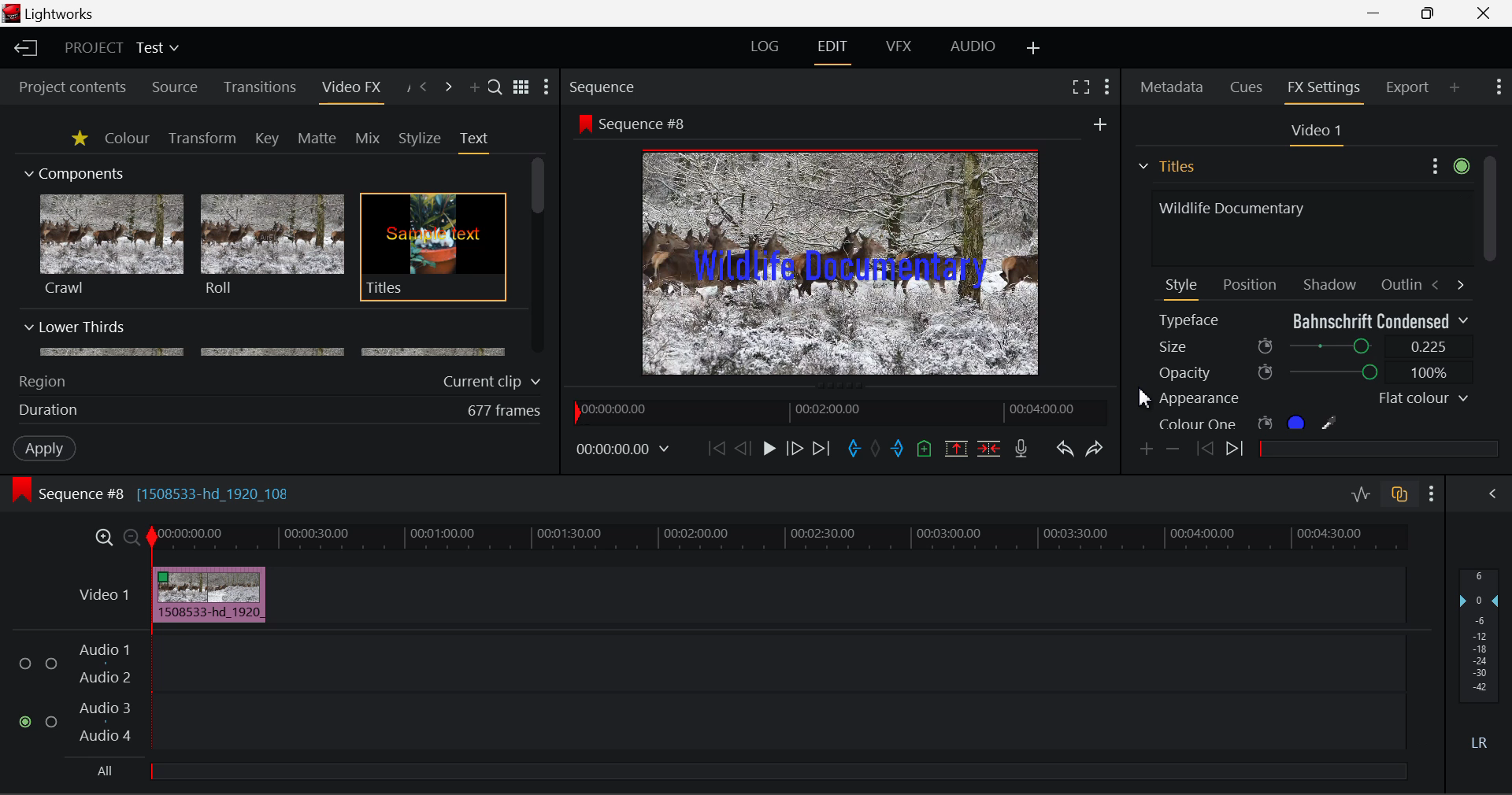 The width and height of the screenshot is (1512, 795). Describe the element at coordinates (779, 538) in the screenshot. I see `Project Timeline` at that location.